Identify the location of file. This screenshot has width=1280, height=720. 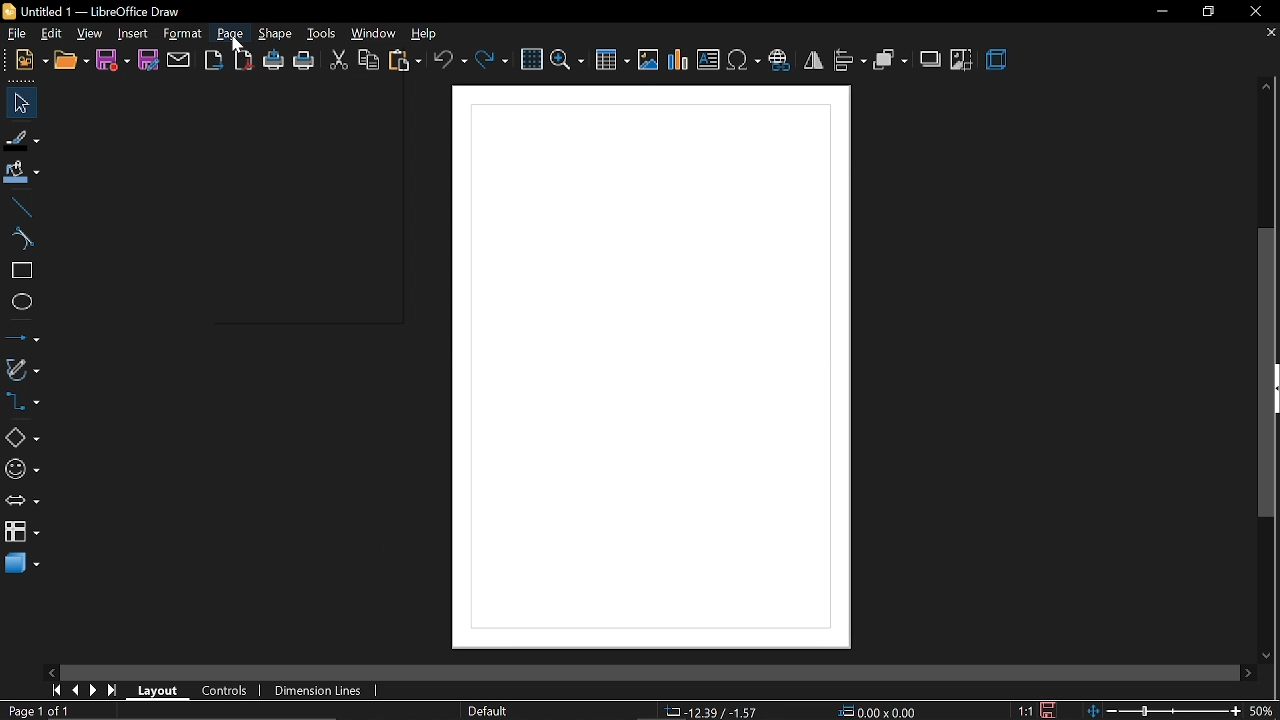
(31, 61).